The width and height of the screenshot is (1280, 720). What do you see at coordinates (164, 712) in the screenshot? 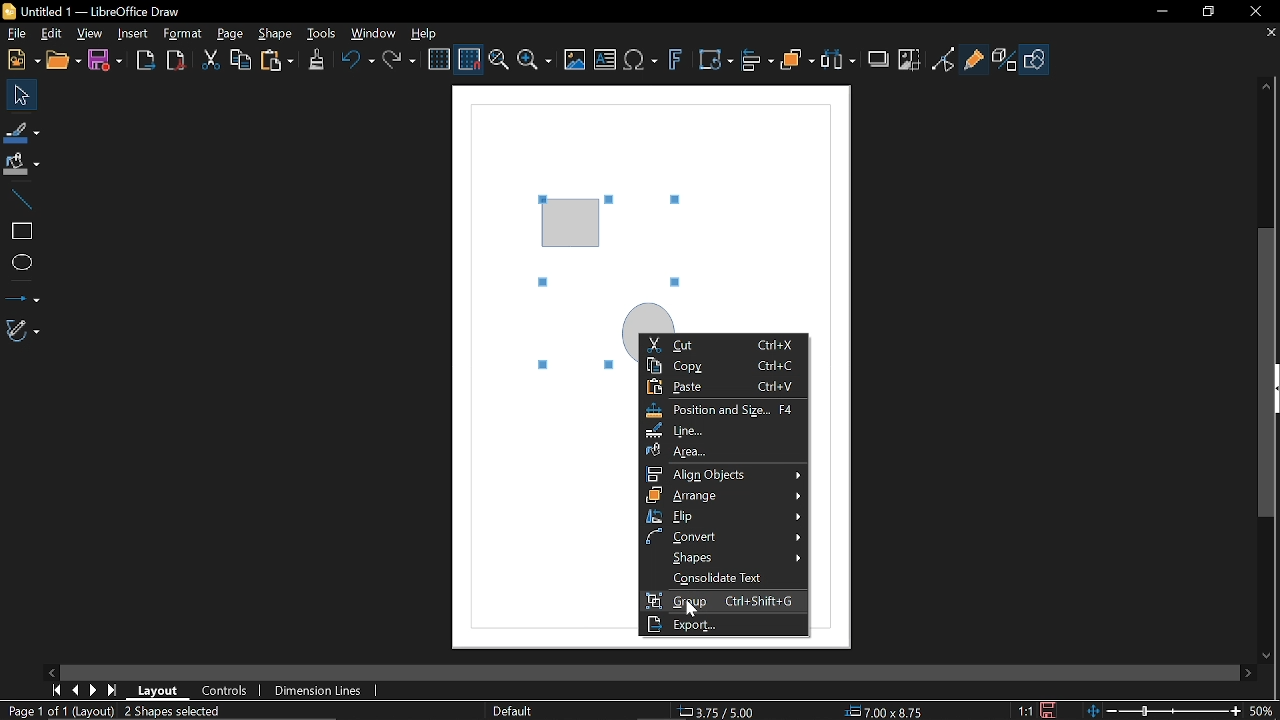
I see `Mark objects` at bounding box center [164, 712].